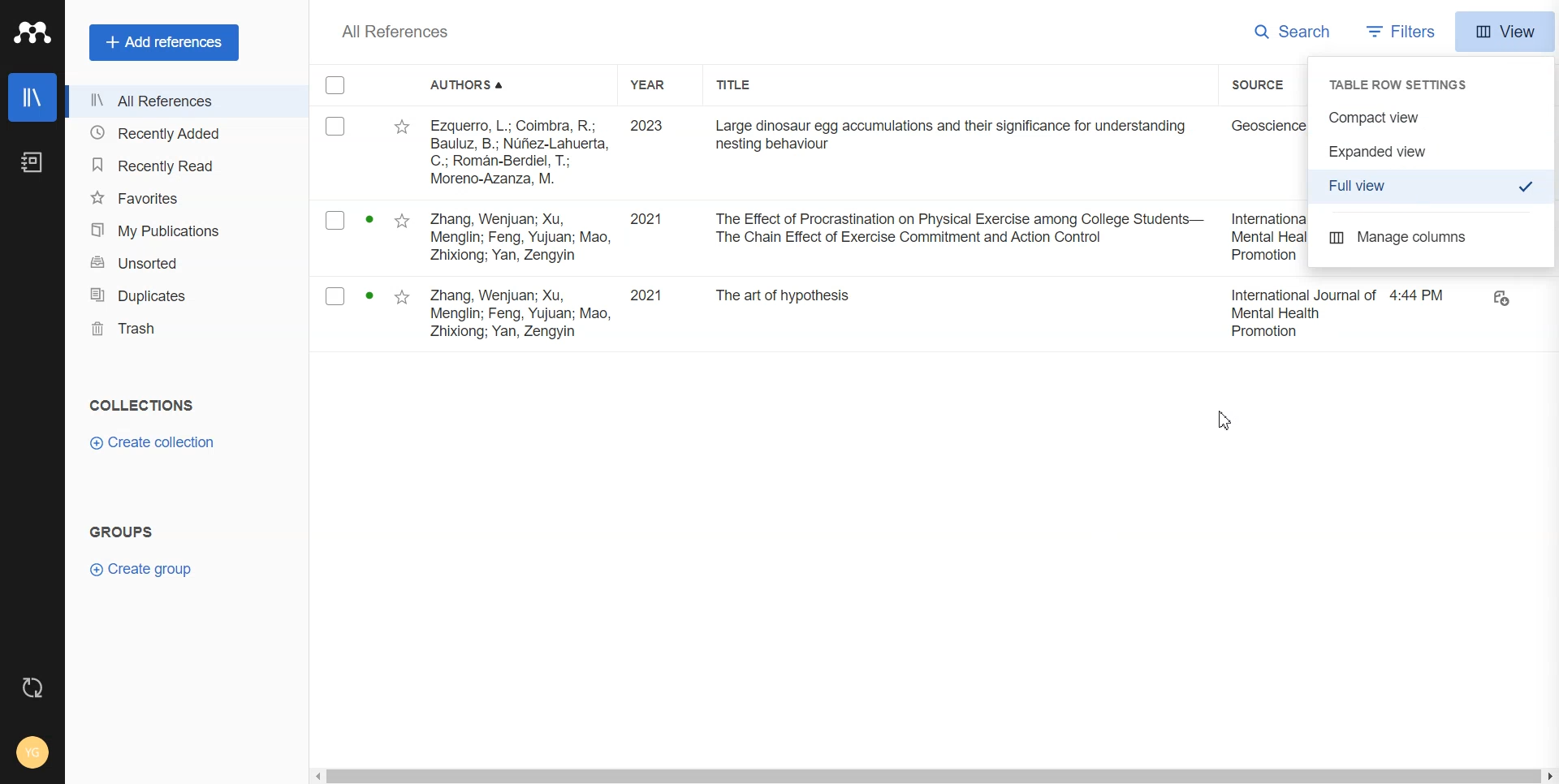  What do you see at coordinates (336, 85) in the screenshot?
I see `Checkmarks` at bounding box center [336, 85].